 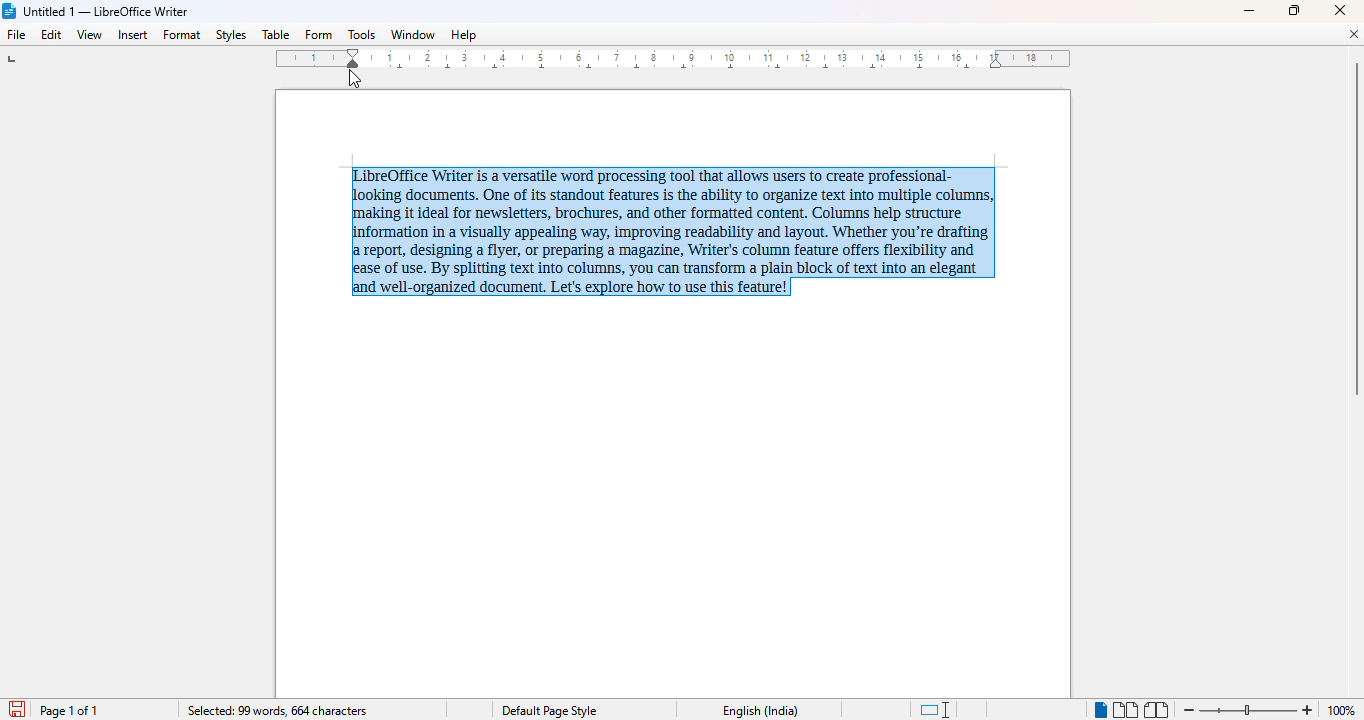 I want to click on English (India), so click(x=766, y=711).